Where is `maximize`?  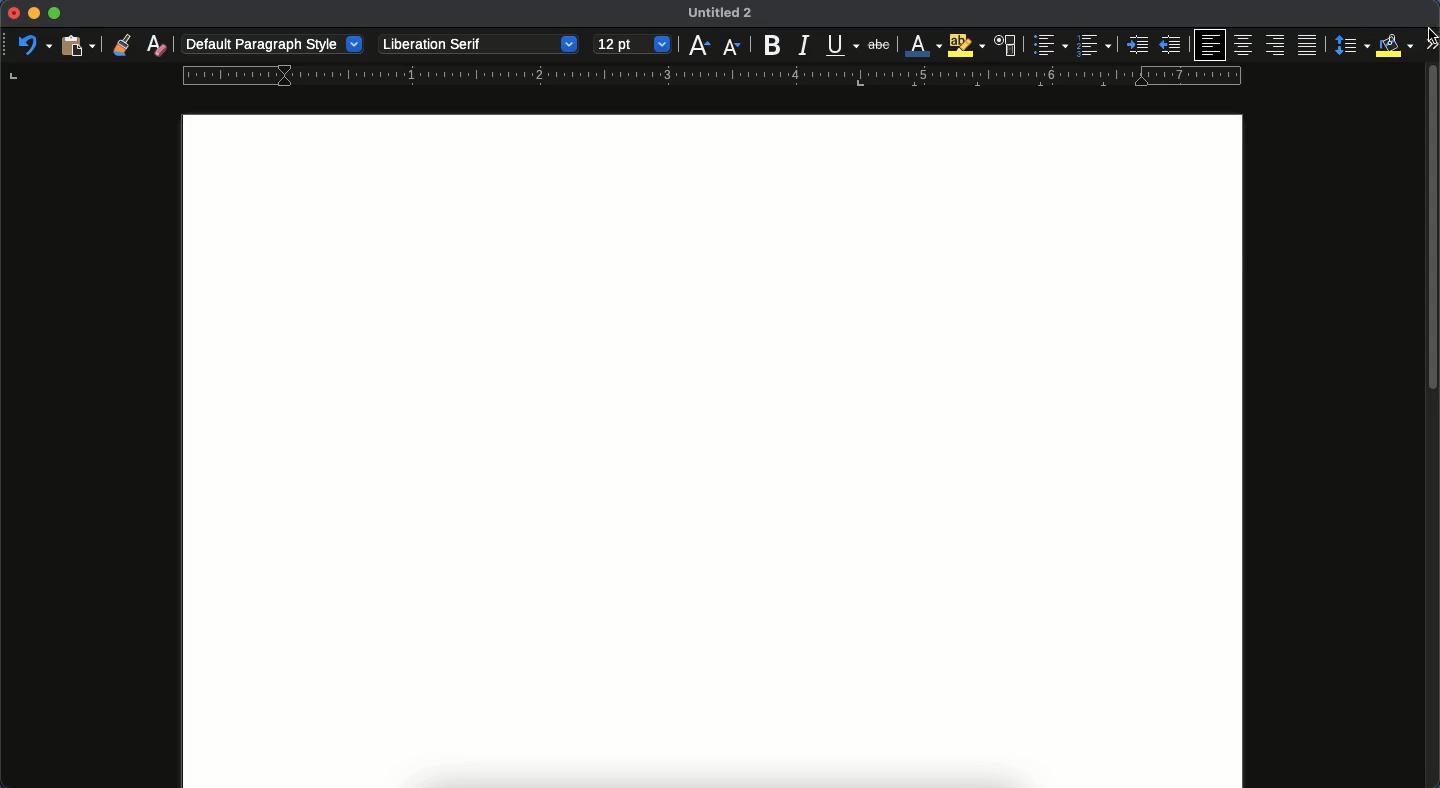 maximize is located at coordinates (54, 14).